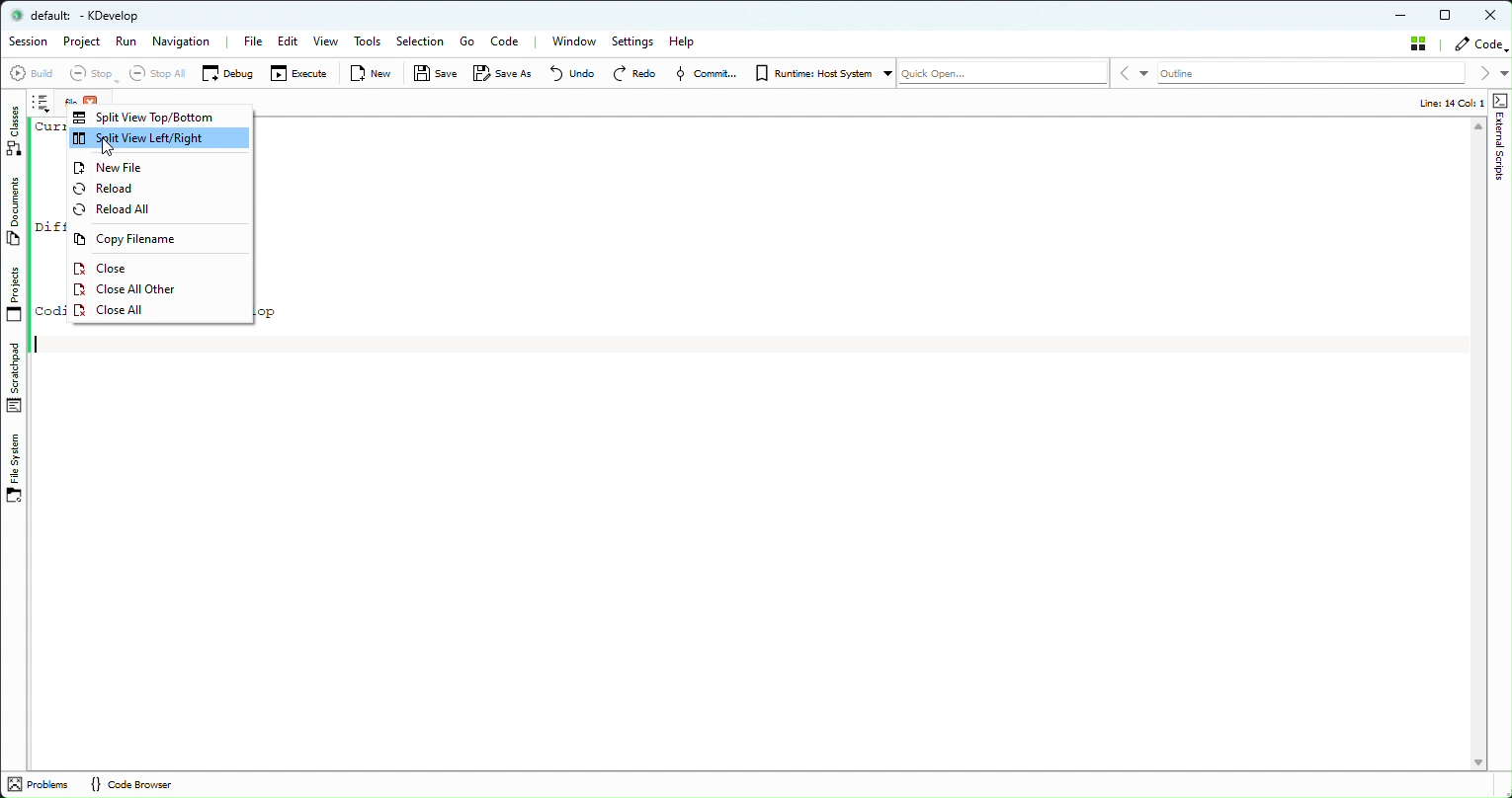 This screenshot has width=1512, height=798. I want to click on Quickopen, so click(1003, 75).